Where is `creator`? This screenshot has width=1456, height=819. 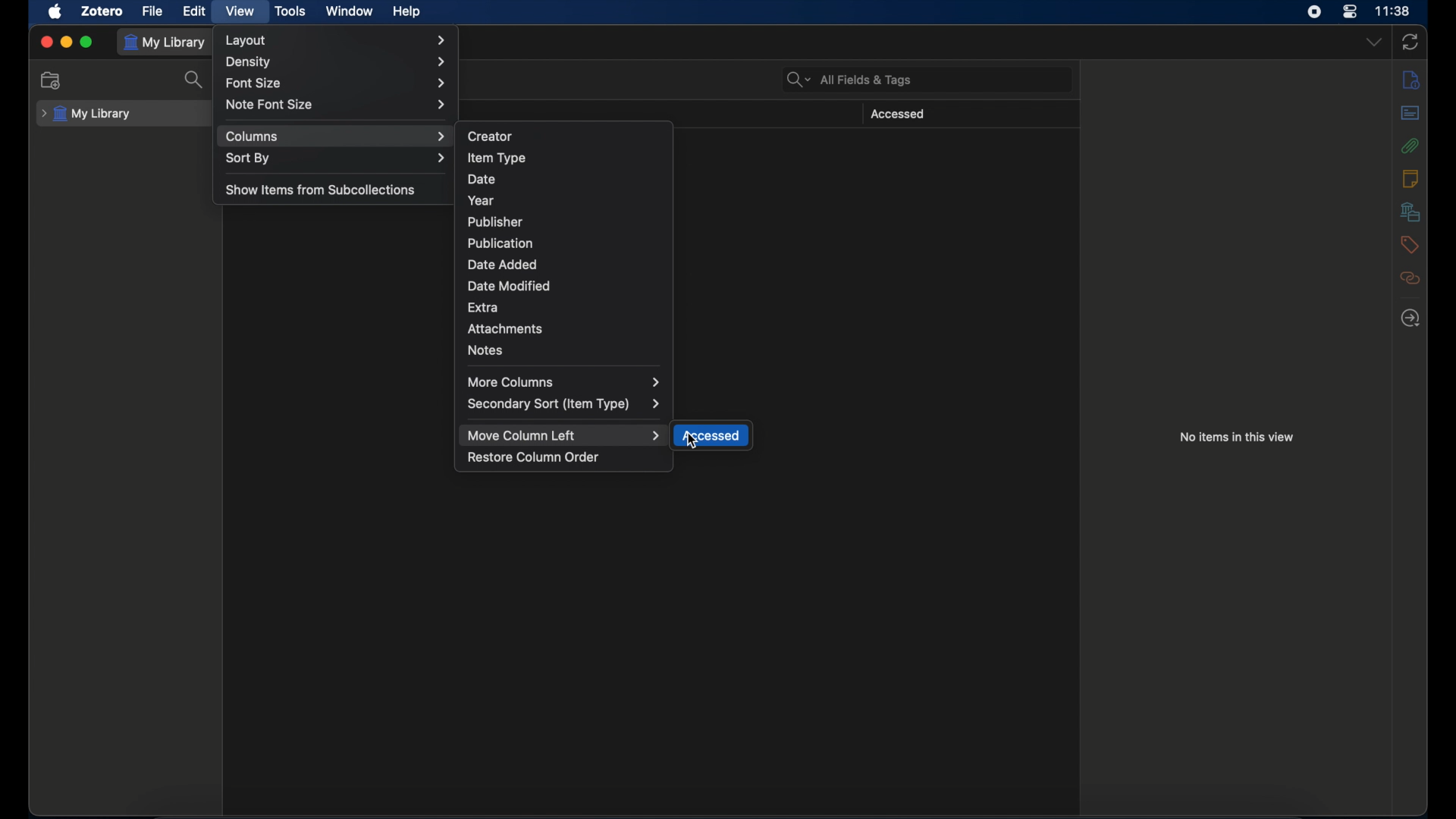
creator is located at coordinates (491, 136).